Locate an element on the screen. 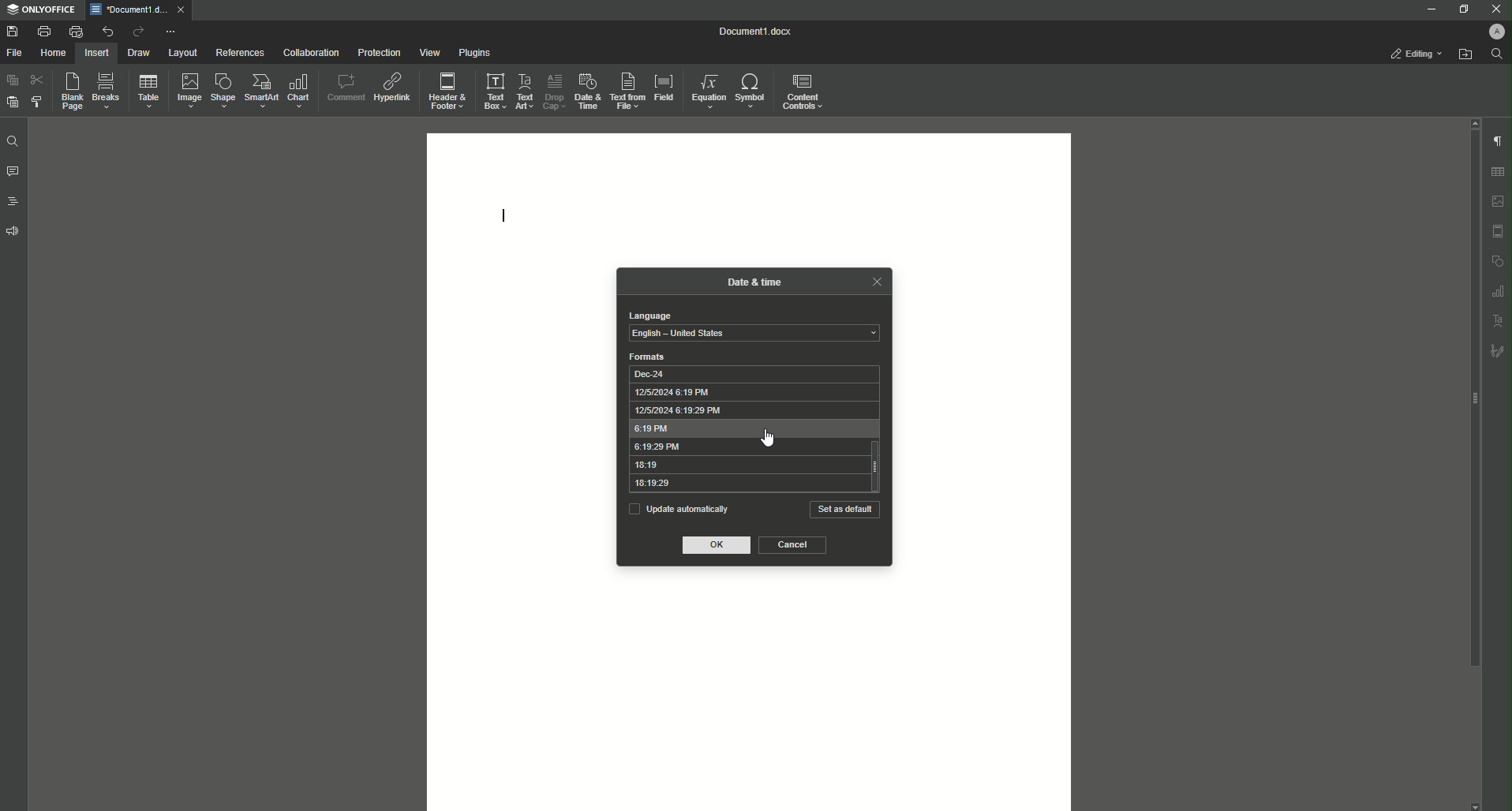  6:19:29 PM is located at coordinates (746, 447).